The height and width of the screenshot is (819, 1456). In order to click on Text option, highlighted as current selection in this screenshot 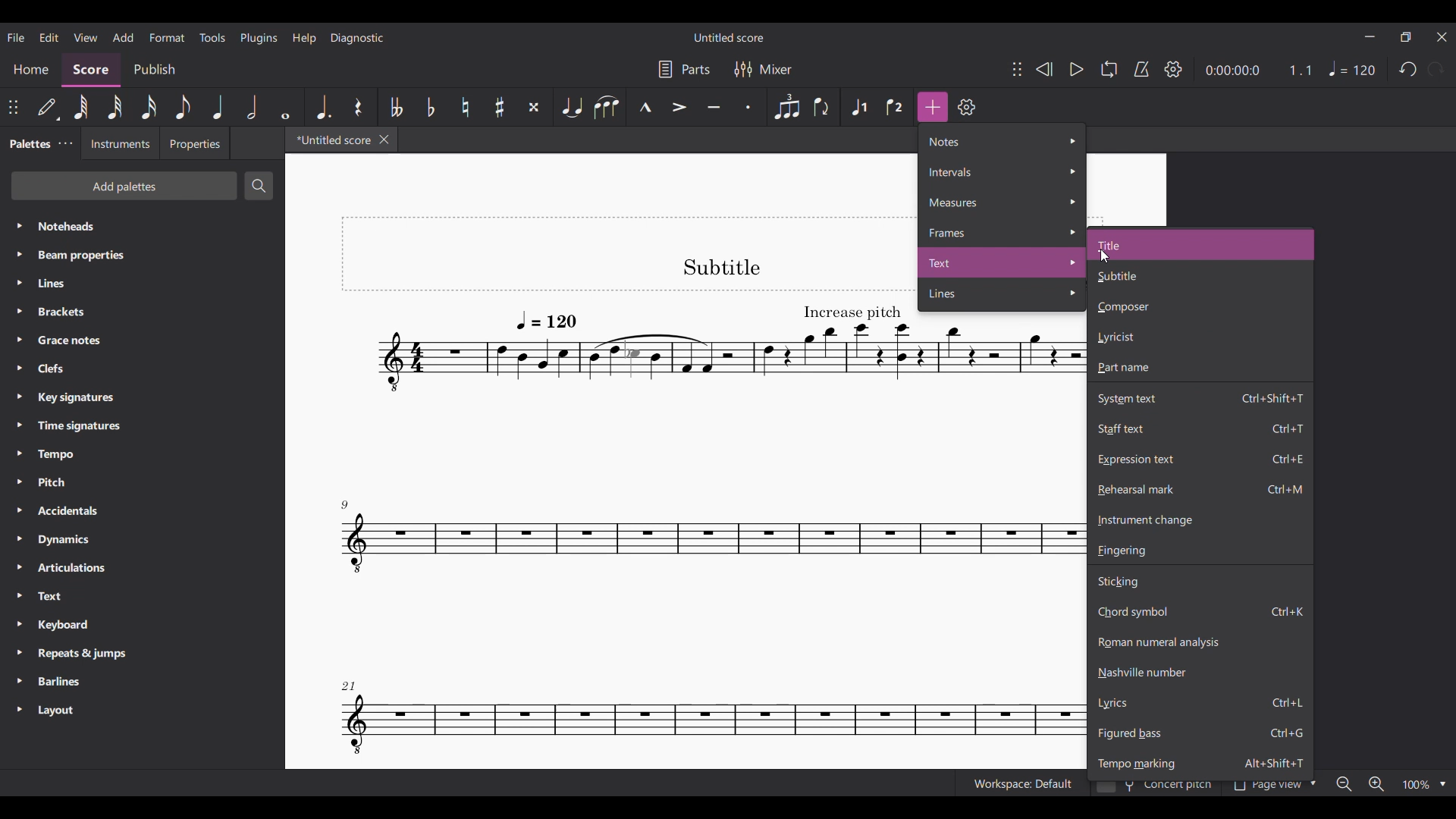, I will do `click(1003, 262)`.